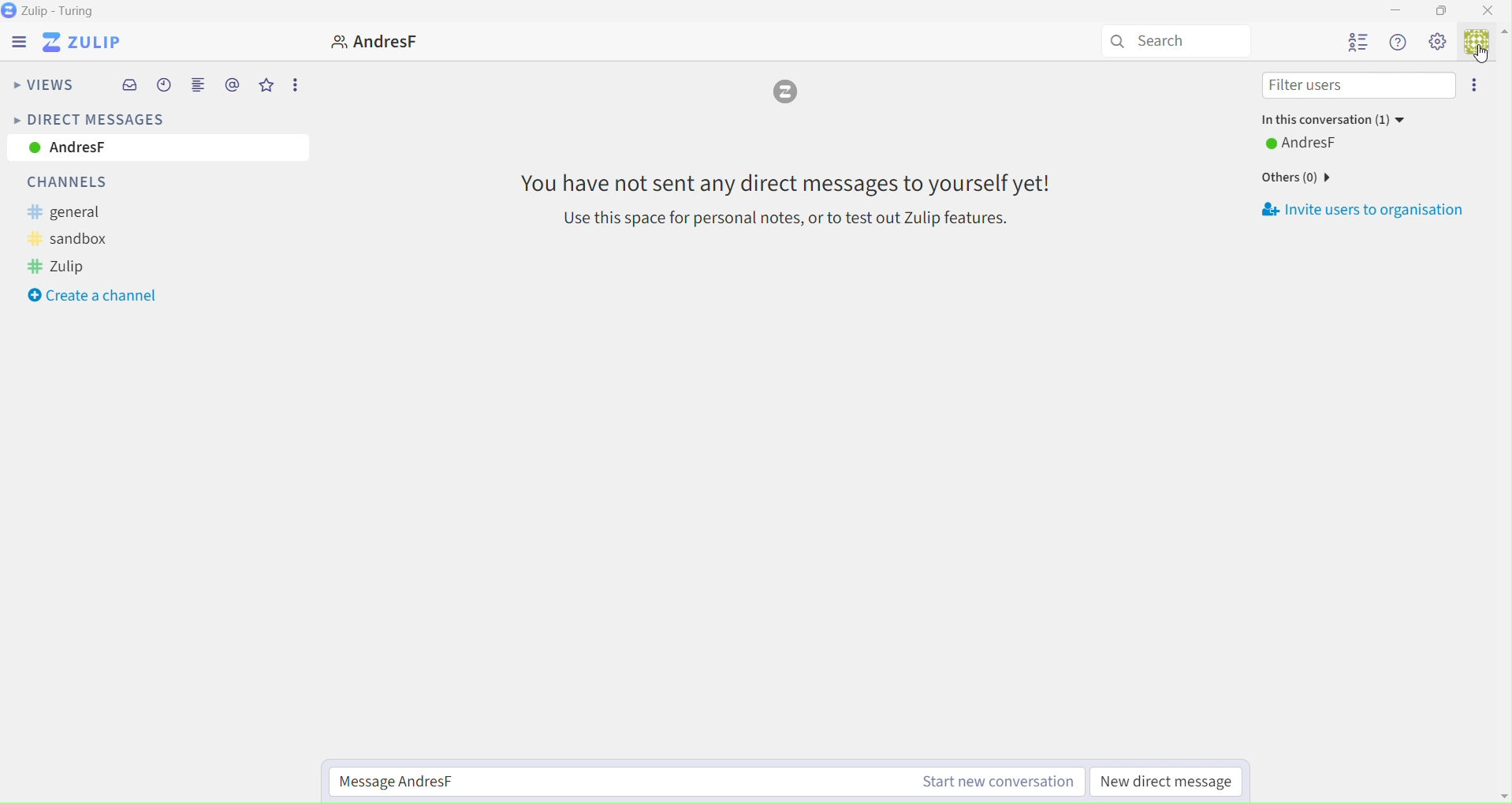 This screenshot has width=1512, height=803. I want to click on Logo, so click(788, 95).